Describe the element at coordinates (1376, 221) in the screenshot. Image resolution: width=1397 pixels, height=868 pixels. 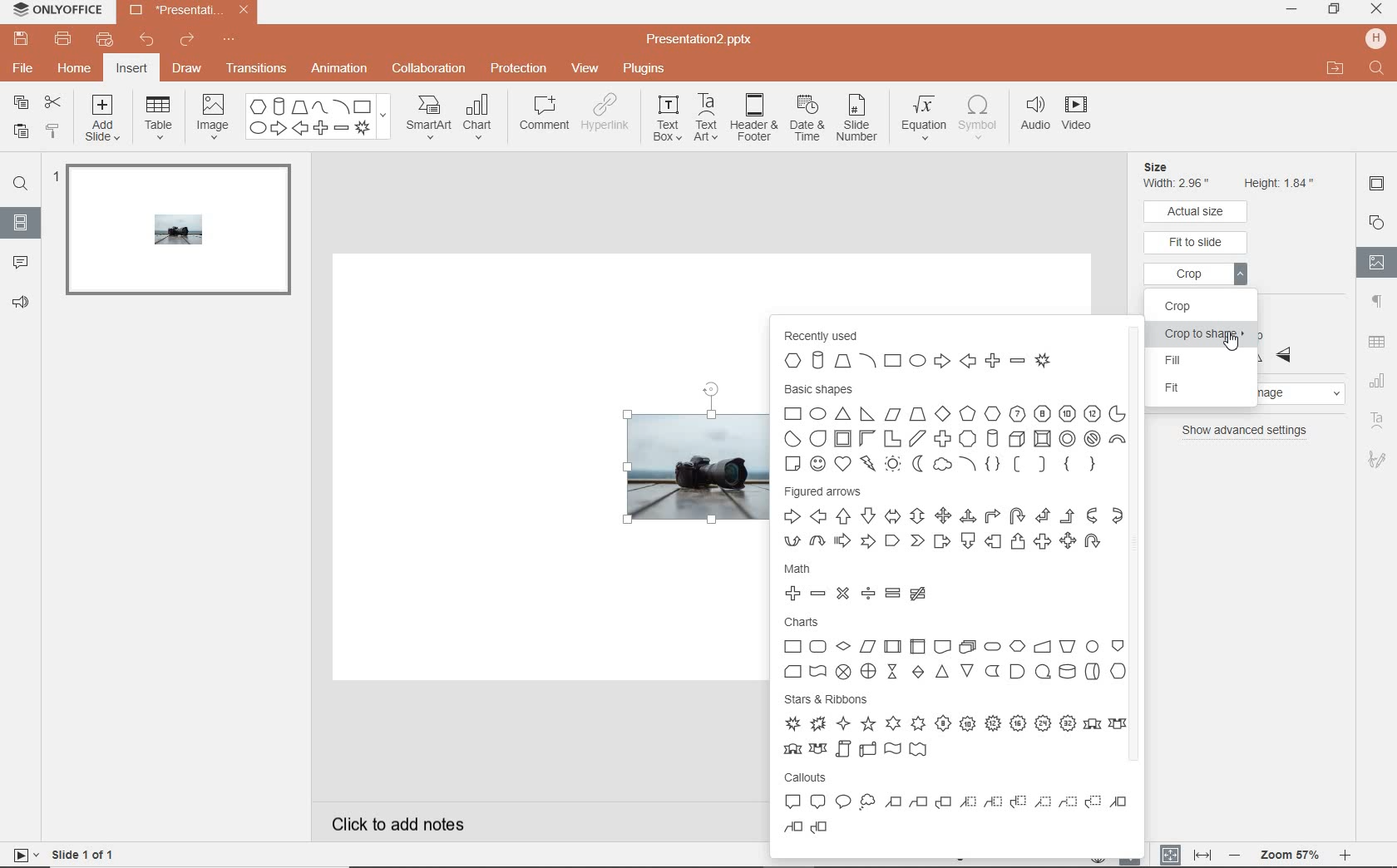
I see `shapes` at that location.